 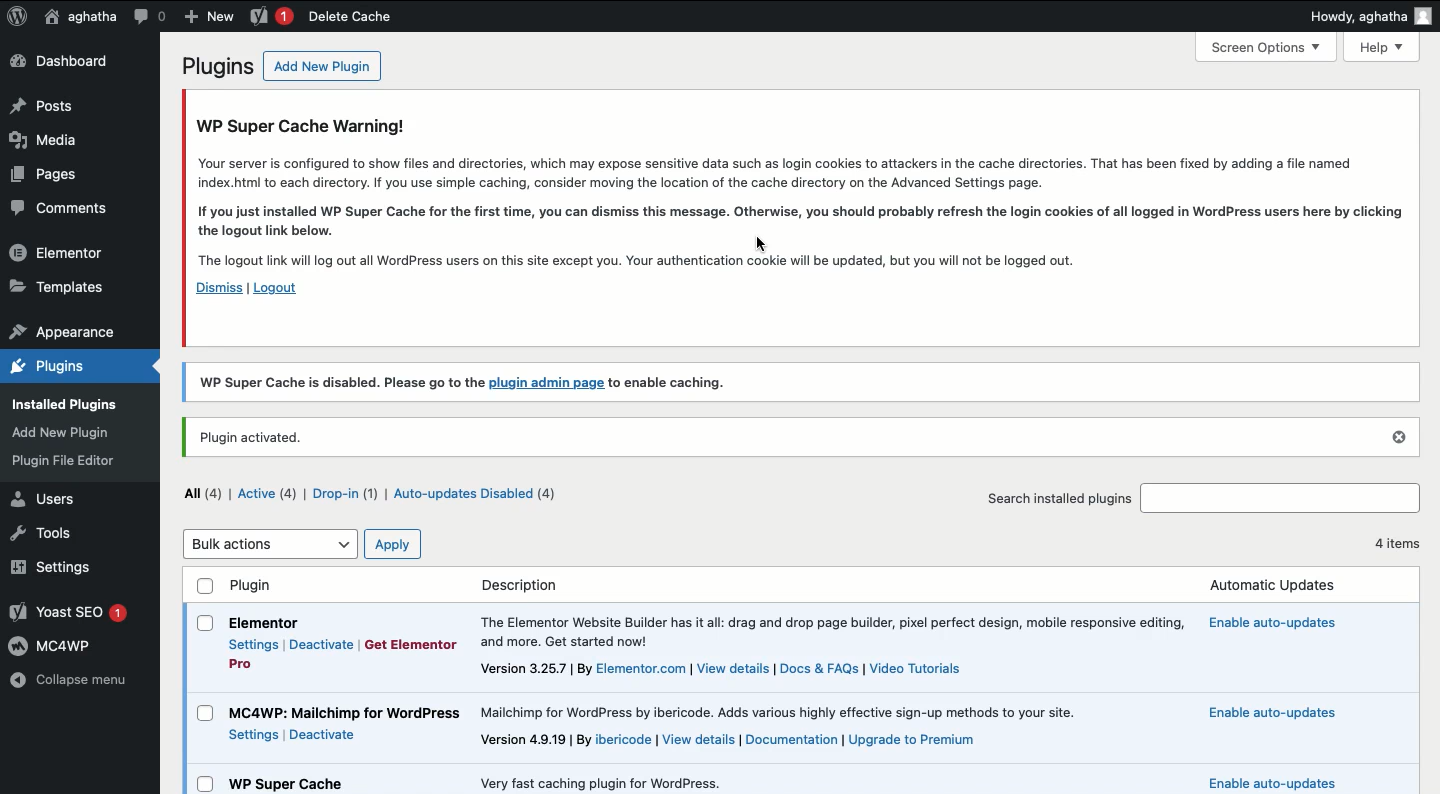 I want to click on Deactive, so click(x=324, y=736).